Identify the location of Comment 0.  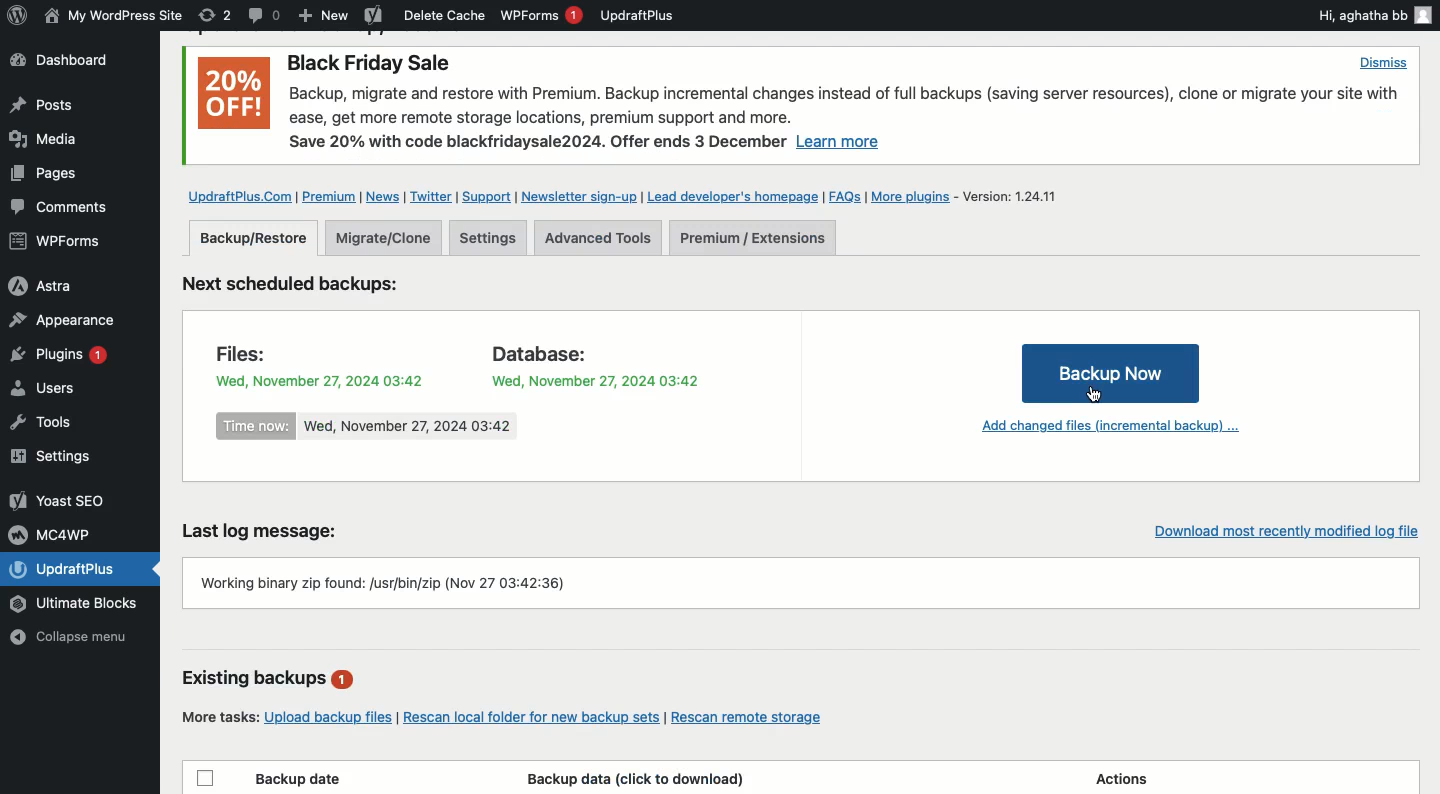
(265, 15).